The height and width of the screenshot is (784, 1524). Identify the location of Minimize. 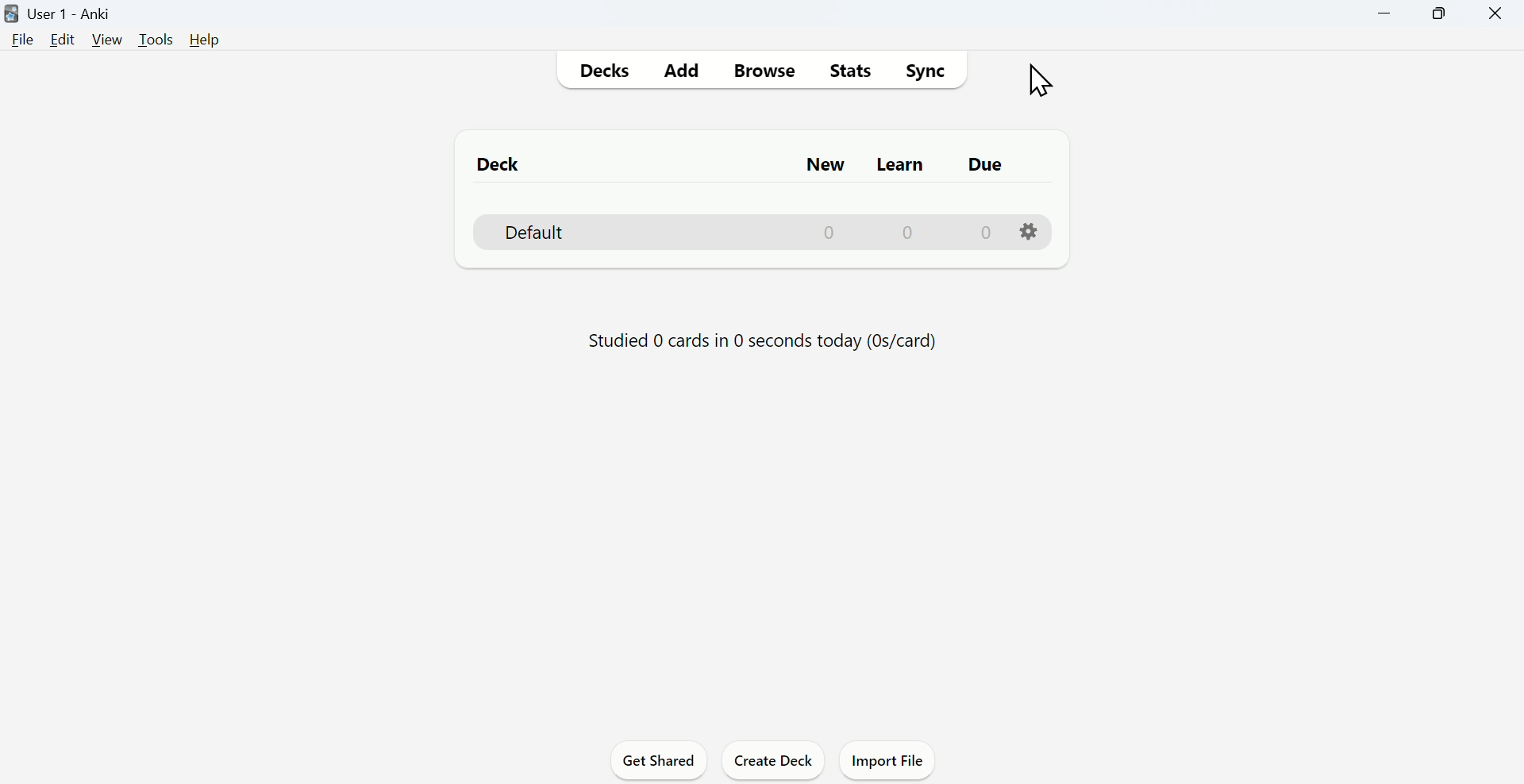
(1381, 18).